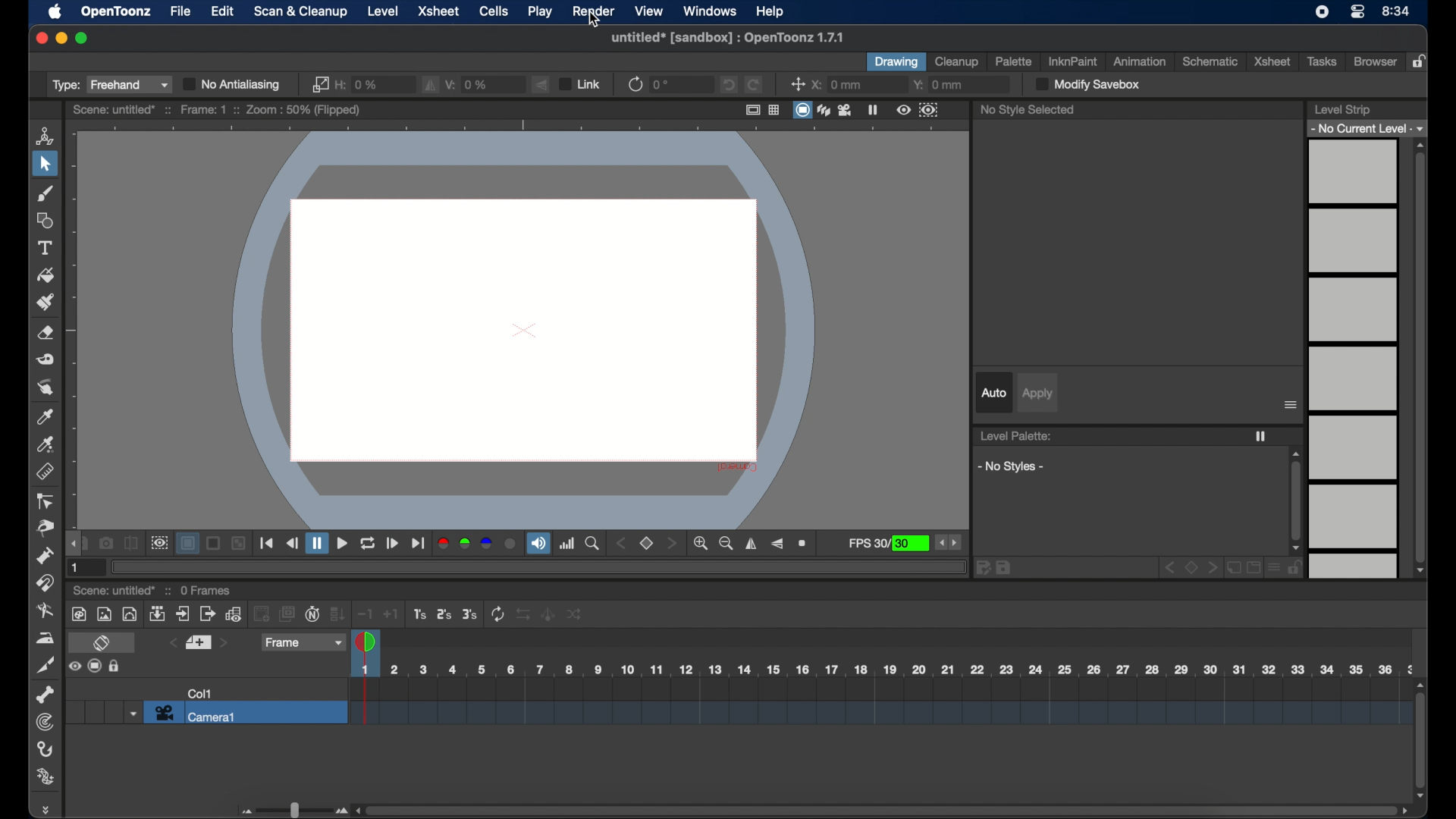 This screenshot has width=1456, height=819. I want to click on undo, so click(727, 84).